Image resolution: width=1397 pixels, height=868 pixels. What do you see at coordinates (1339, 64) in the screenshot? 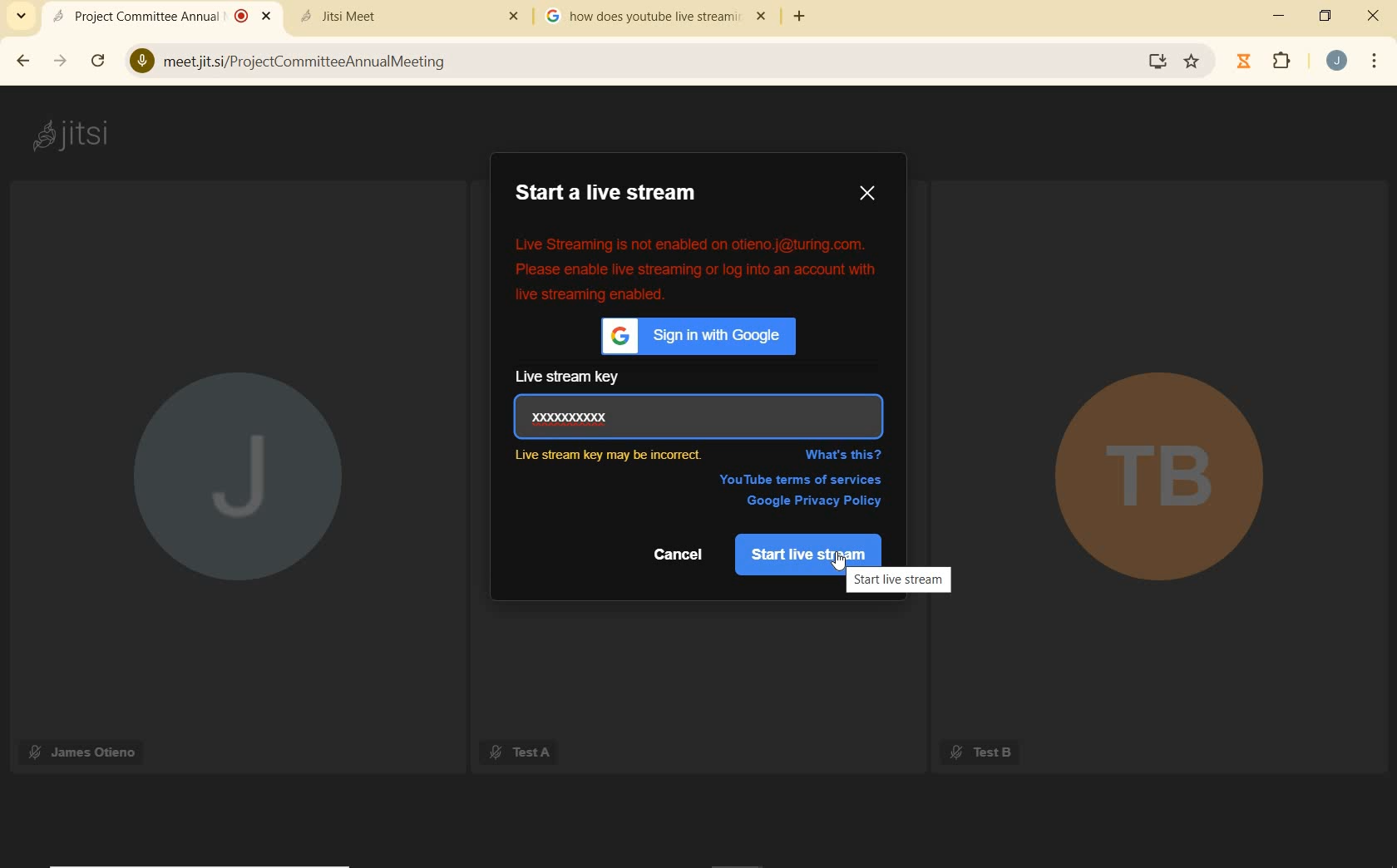
I see `account` at bounding box center [1339, 64].